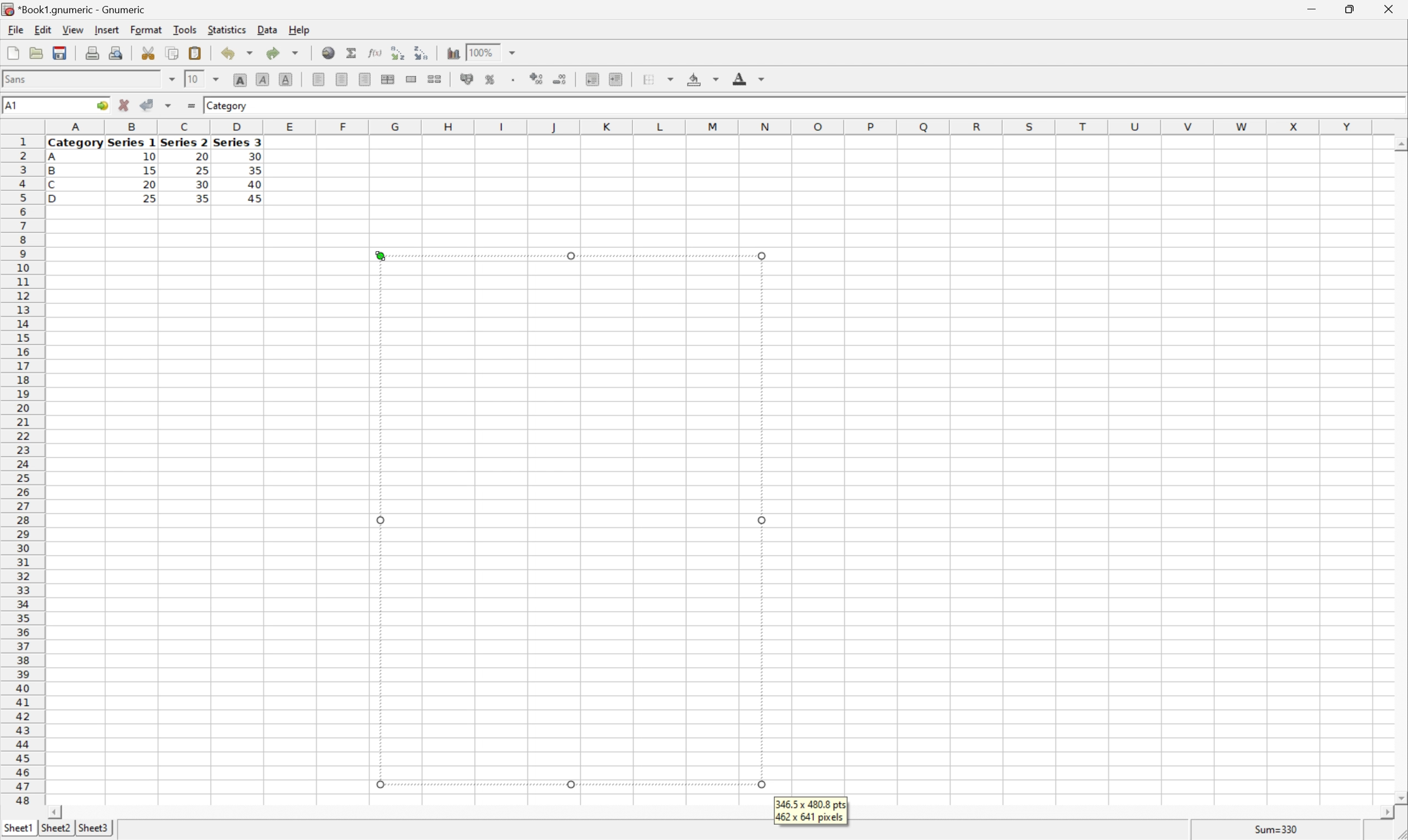 The height and width of the screenshot is (840, 1408). What do you see at coordinates (52, 172) in the screenshot?
I see `B` at bounding box center [52, 172].